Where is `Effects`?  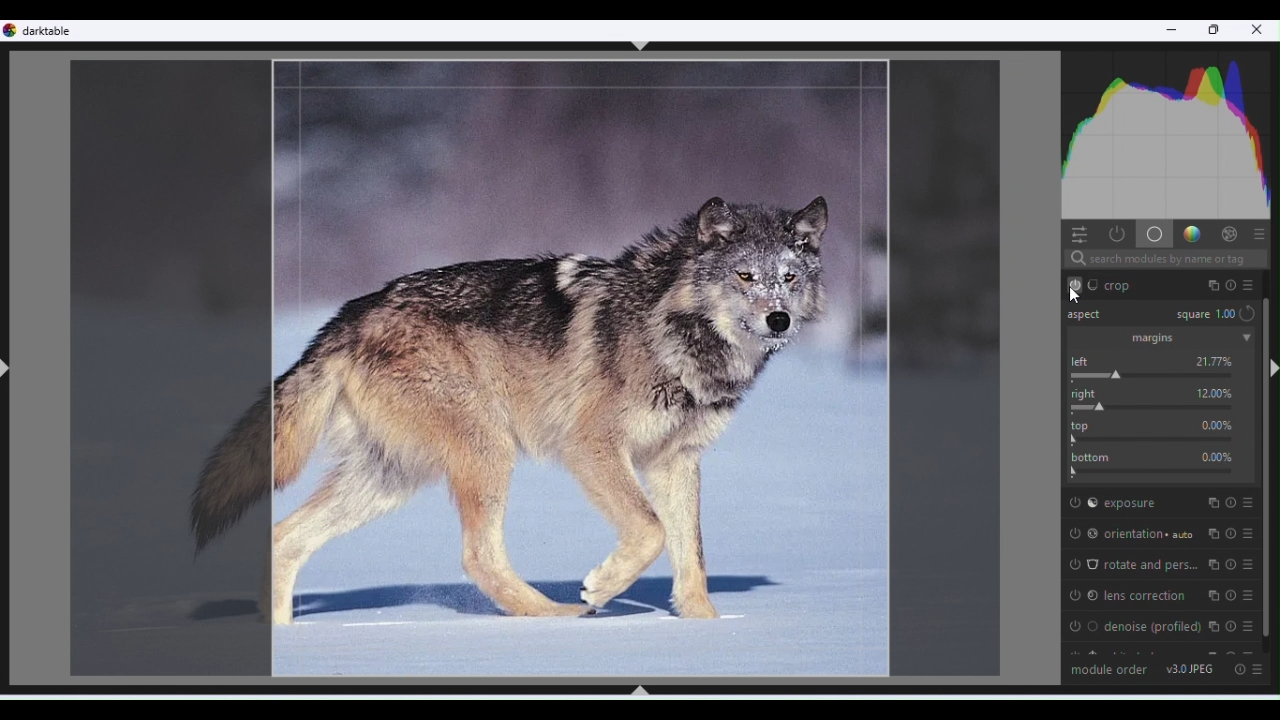 Effects is located at coordinates (1229, 233).